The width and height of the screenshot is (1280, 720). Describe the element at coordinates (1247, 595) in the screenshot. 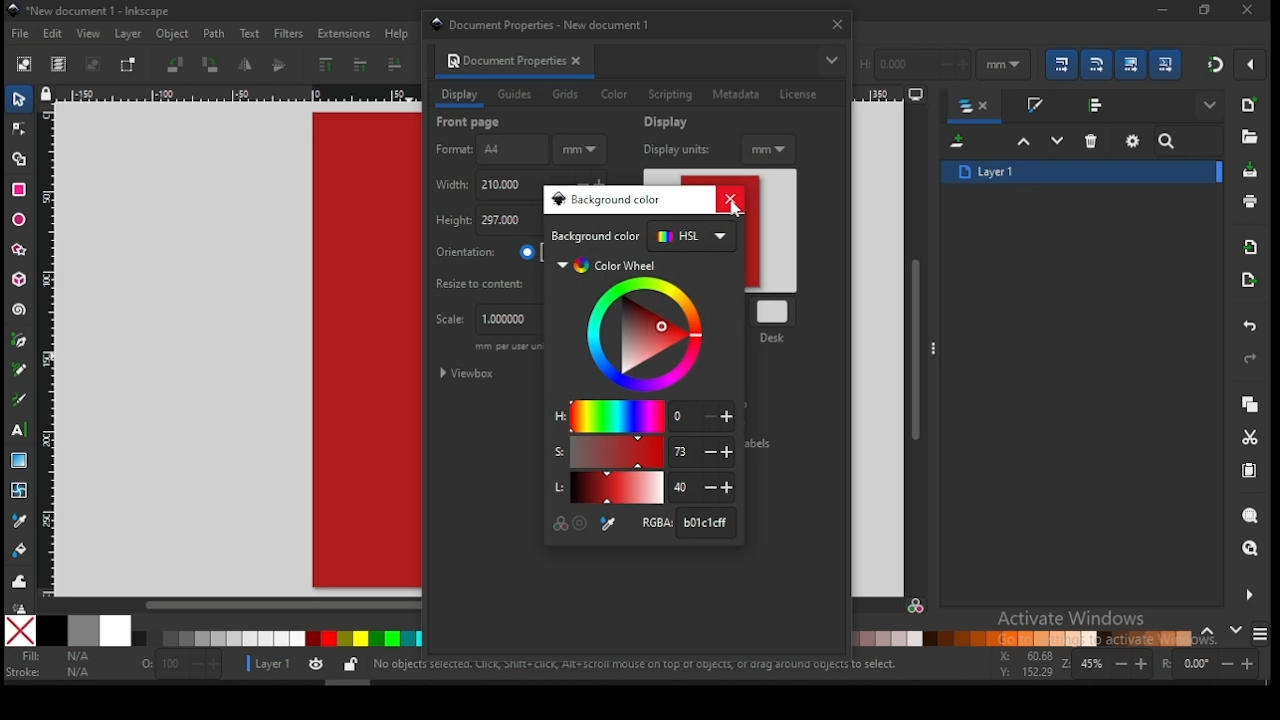

I see `more settings` at that location.